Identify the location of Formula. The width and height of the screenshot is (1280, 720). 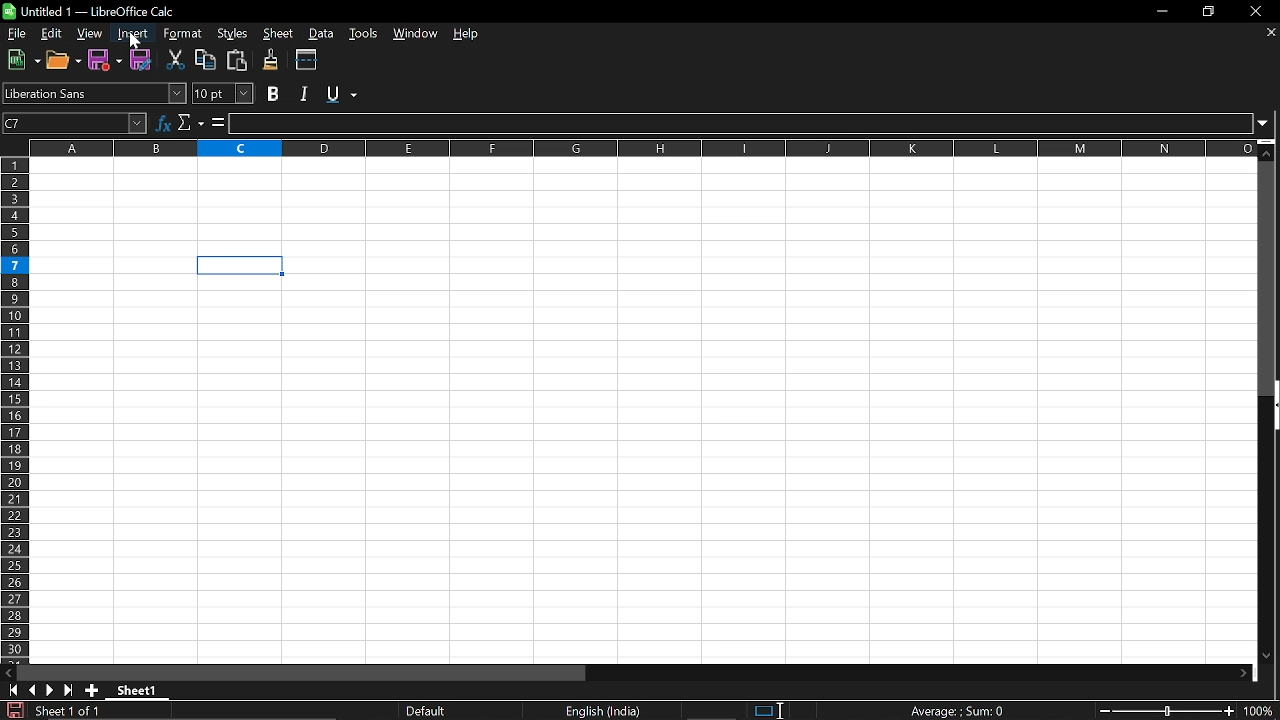
(218, 122).